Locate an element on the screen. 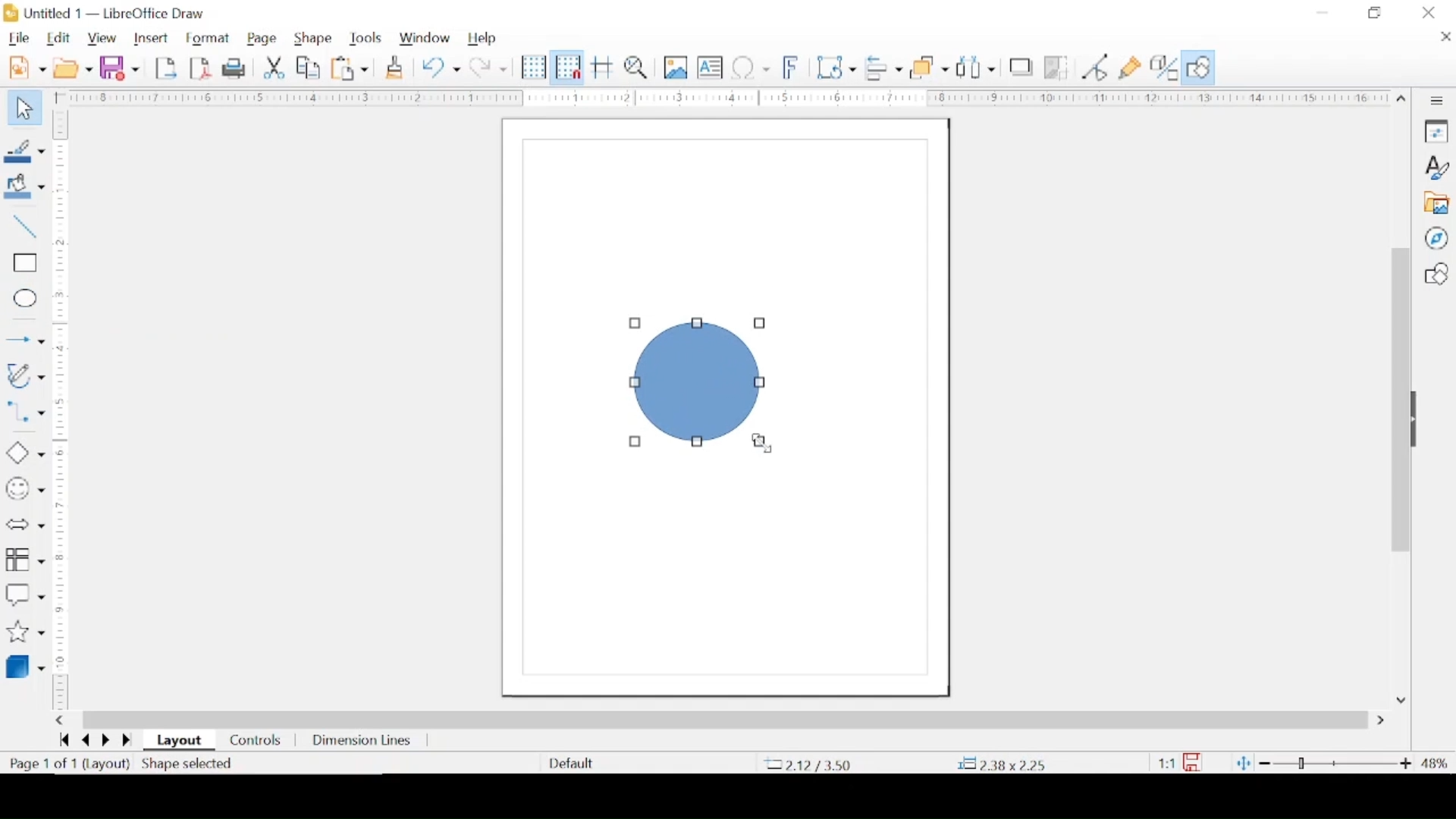 This screenshot has width=1456, height=819. scroll right arrow is located at coordinates (1381, 720).